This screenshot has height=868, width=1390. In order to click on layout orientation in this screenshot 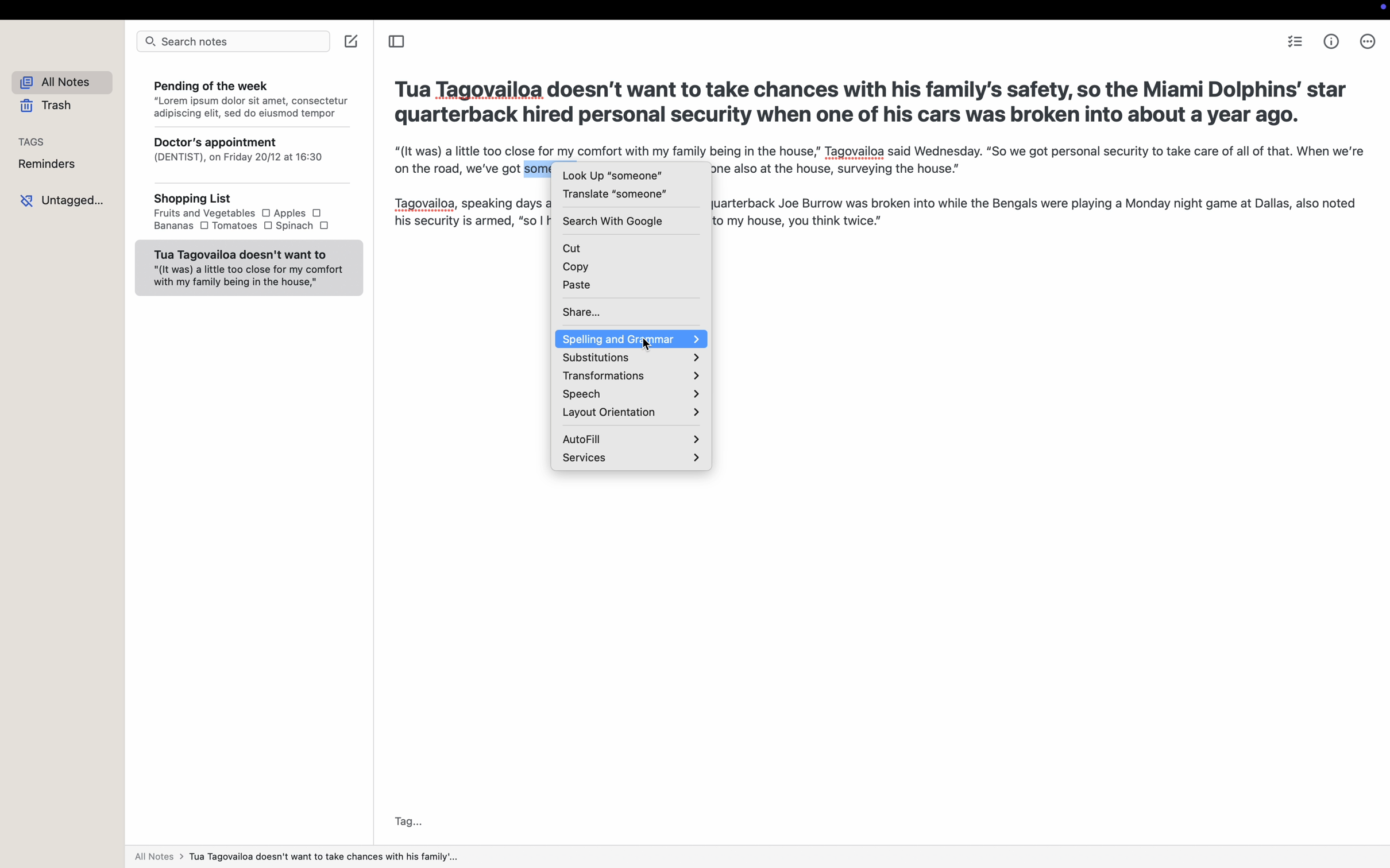, I will do `click(630, 413)`.